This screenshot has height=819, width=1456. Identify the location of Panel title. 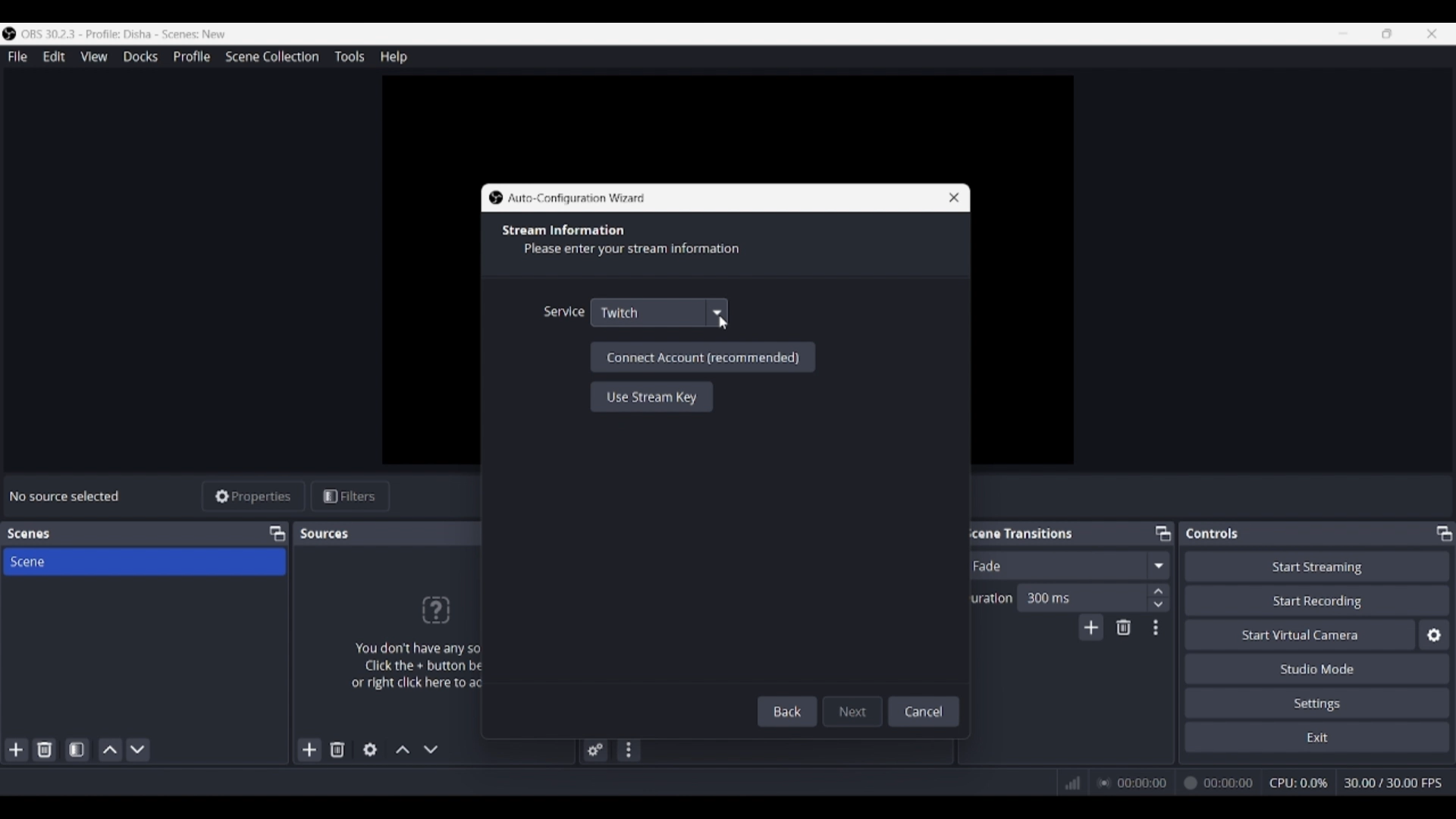
(326, 533).